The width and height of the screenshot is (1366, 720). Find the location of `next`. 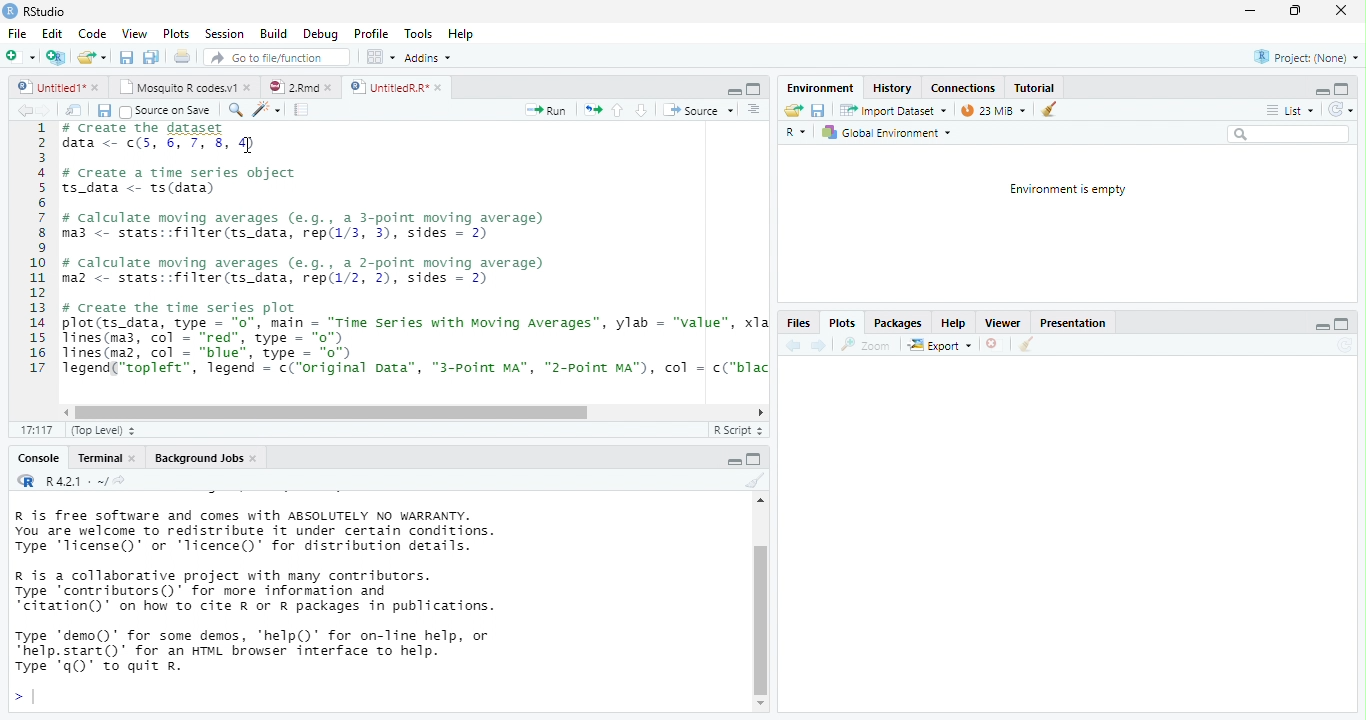

next is located at coordinates (48, 111).